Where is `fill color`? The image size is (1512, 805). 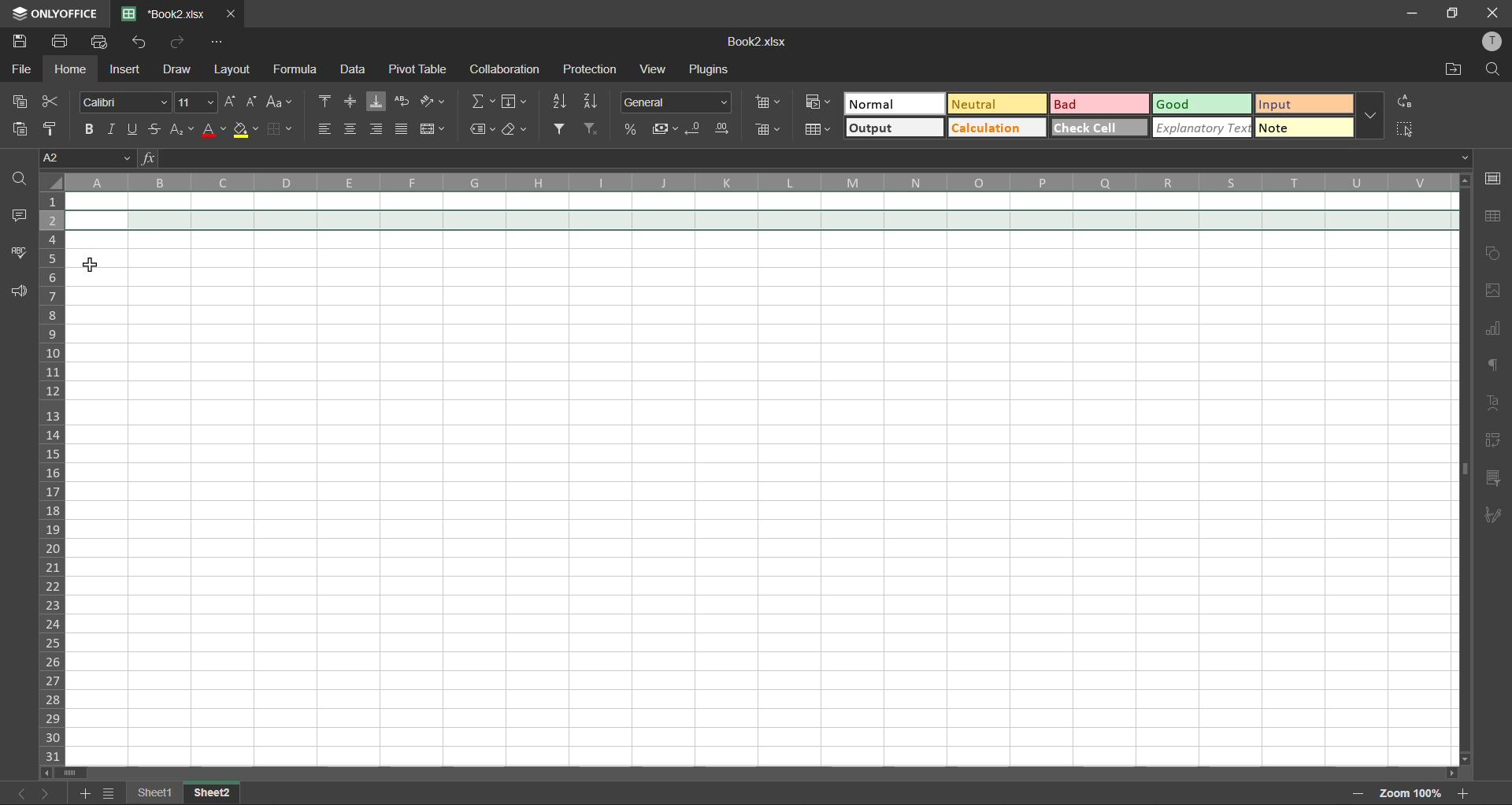 fill color is located at coordinates (247, 132).